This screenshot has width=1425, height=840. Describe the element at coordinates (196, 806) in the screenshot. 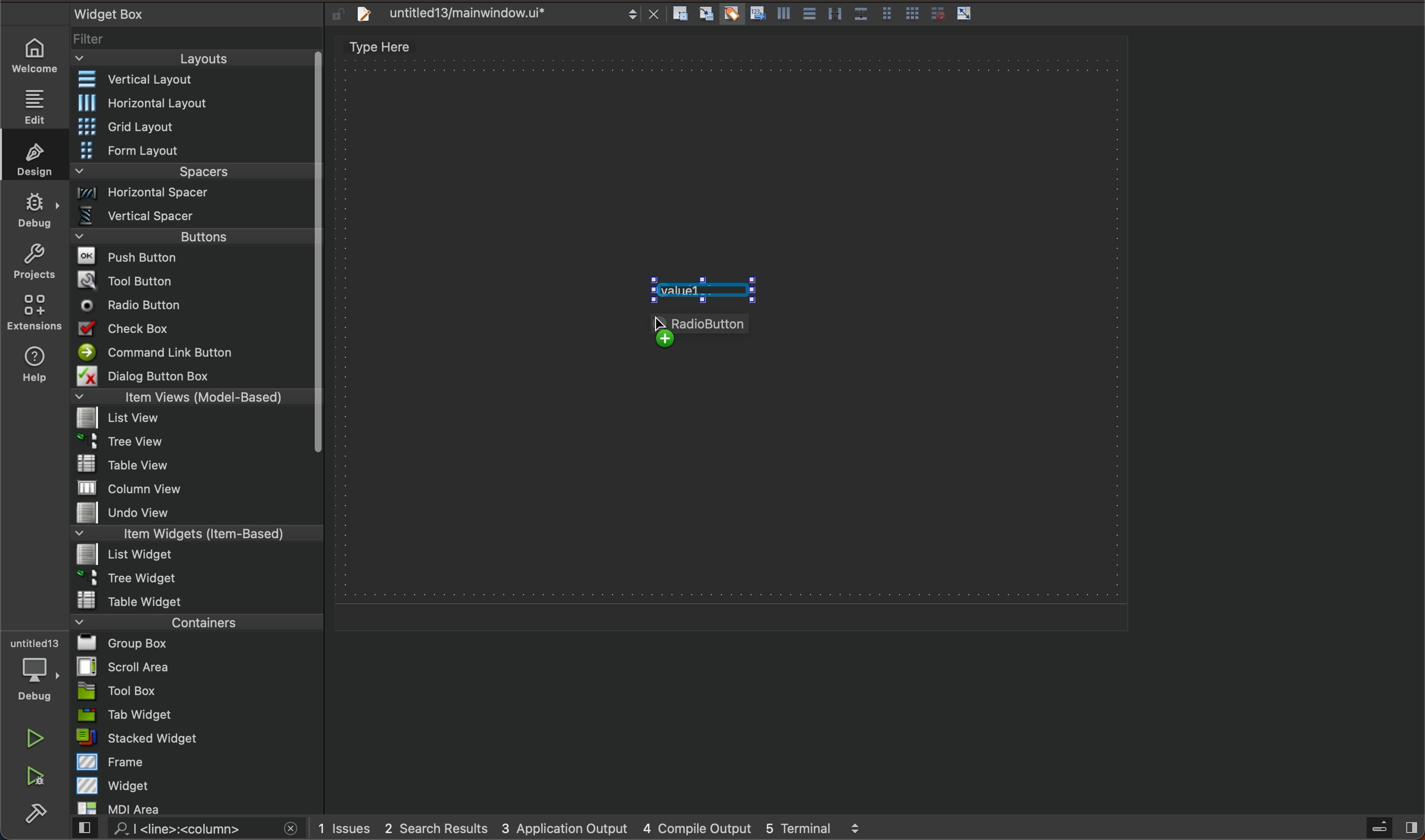

I see `mdi area` at that location.